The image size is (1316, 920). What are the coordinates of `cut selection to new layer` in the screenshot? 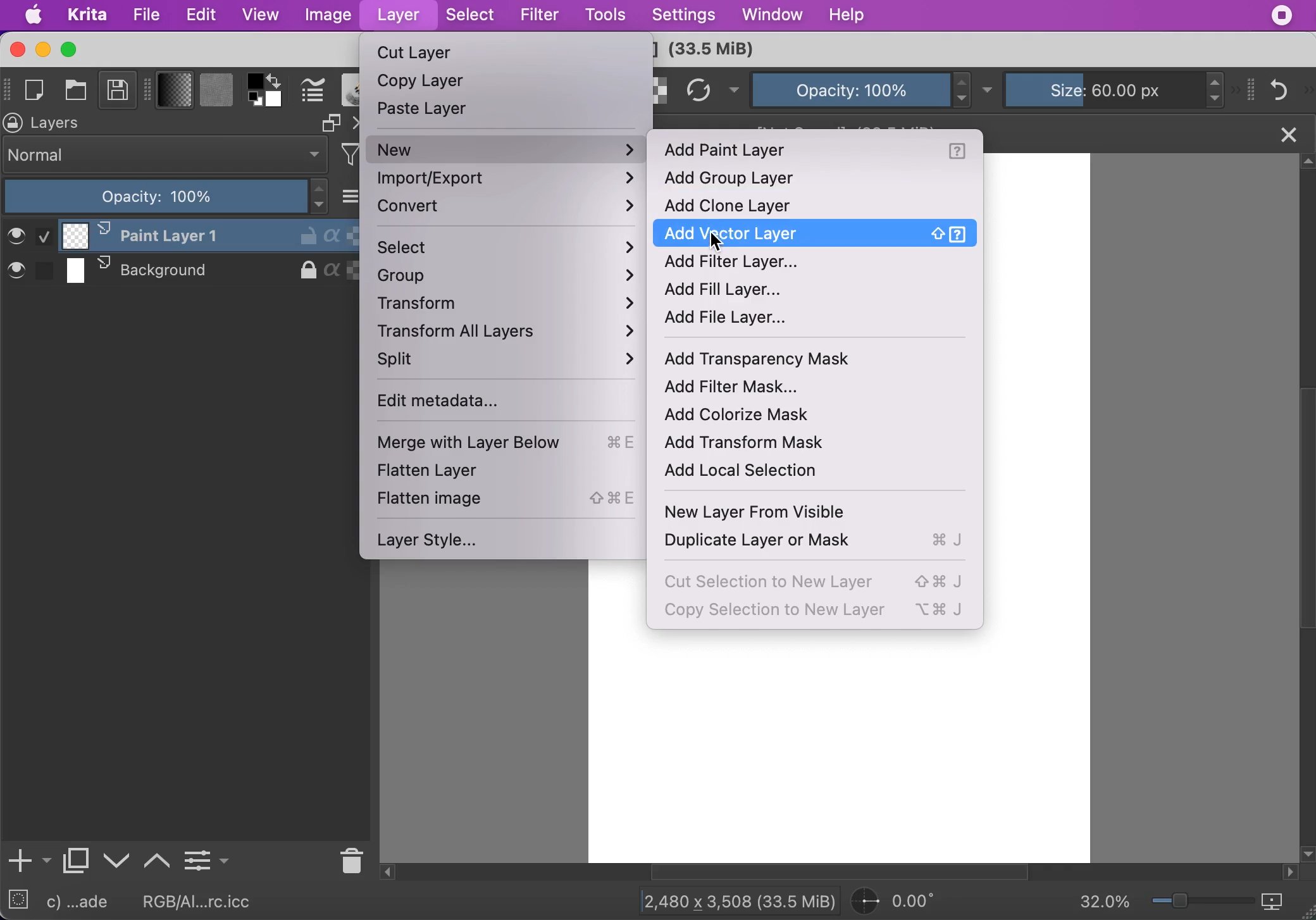 It's located at (816, 580).